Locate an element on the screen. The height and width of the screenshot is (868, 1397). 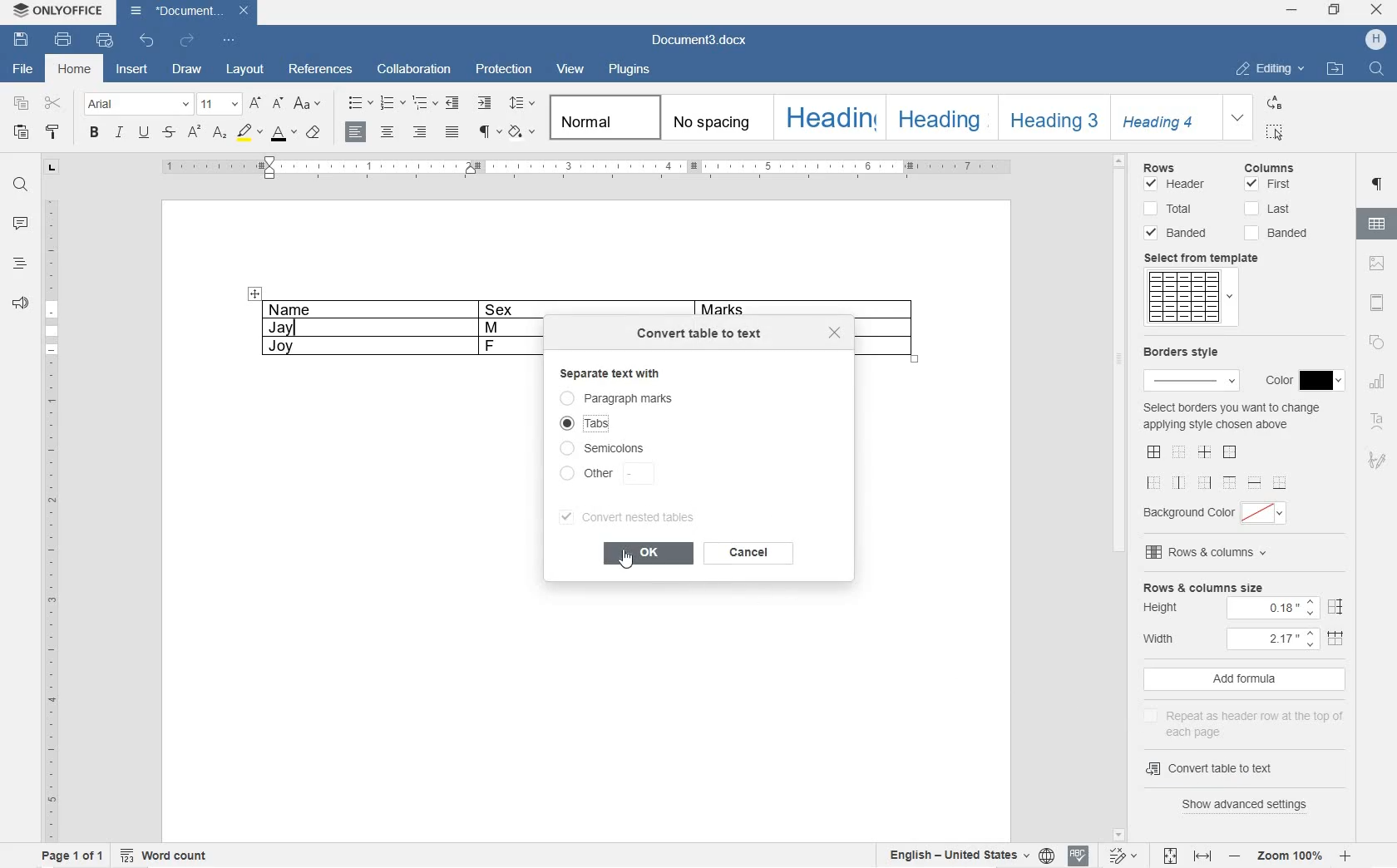
columns settings is located at coordinates (1281, 167).